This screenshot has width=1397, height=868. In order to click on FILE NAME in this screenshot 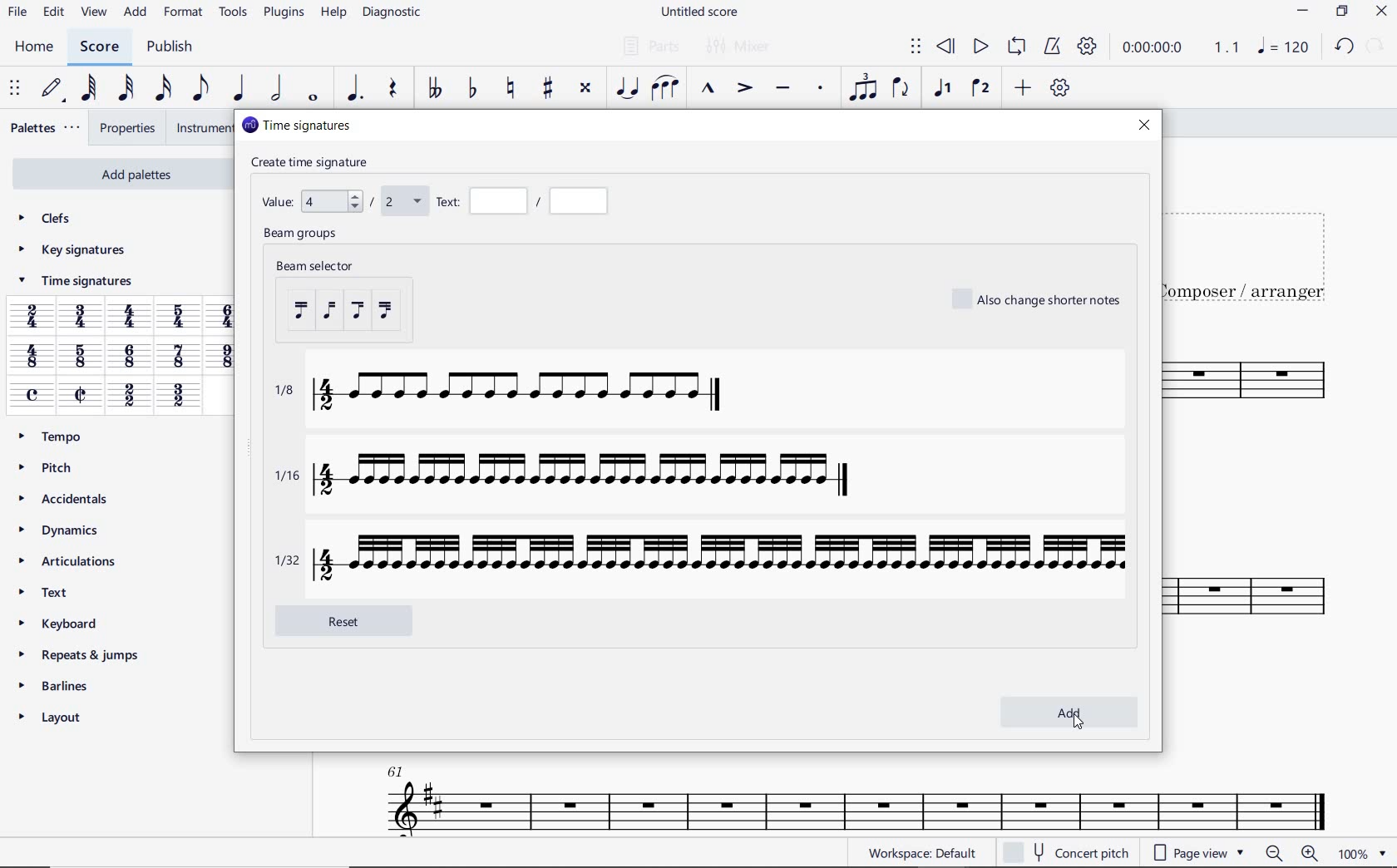, I will do `click(701, 14)`.